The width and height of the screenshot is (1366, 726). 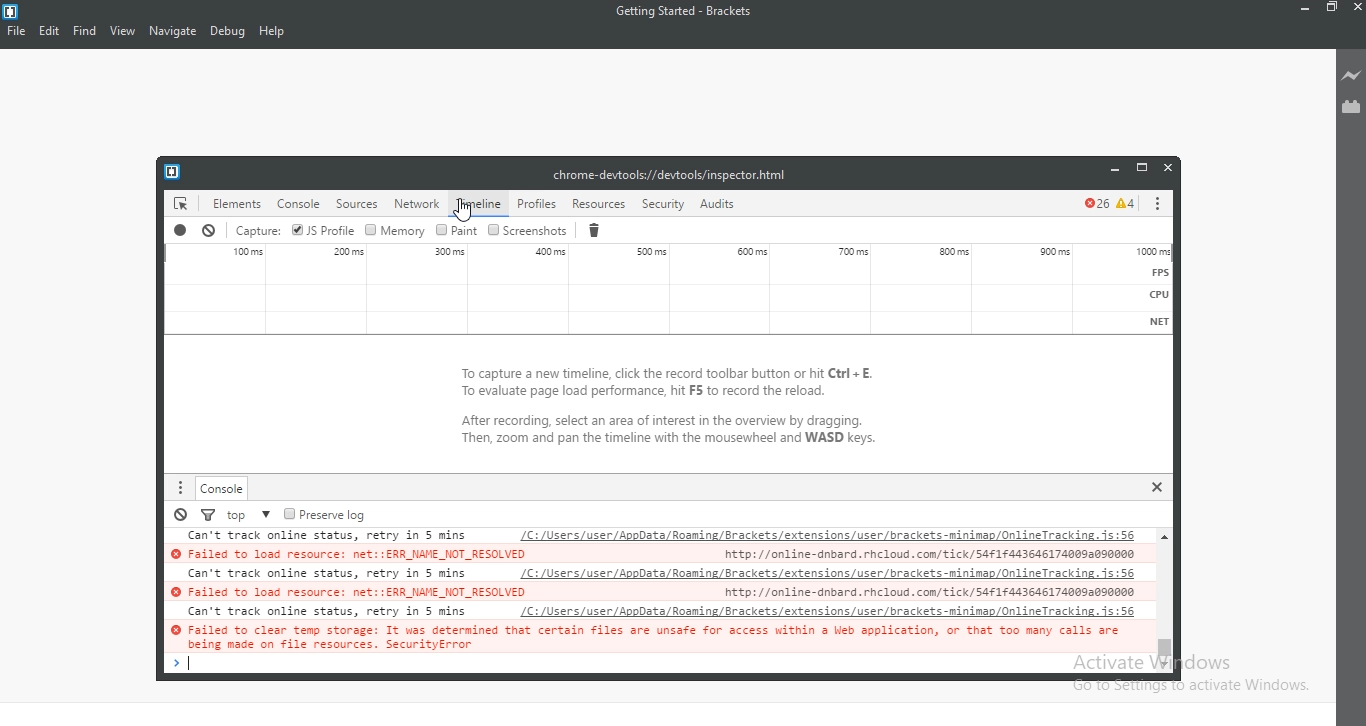 What do you see at coordinates (418, 201) in the screenshot?
I see `network` at bounding box center [418, 201].